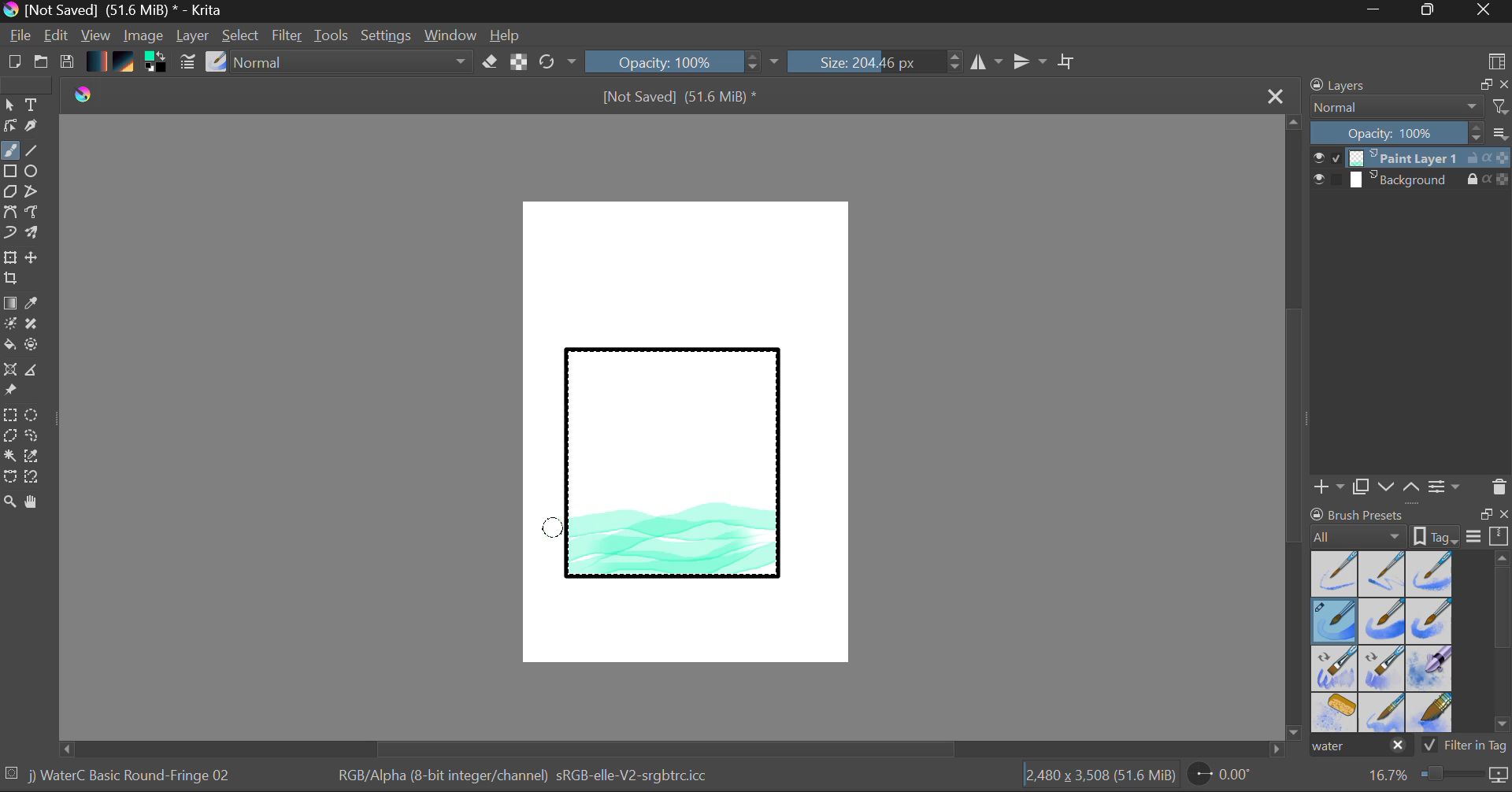  Describe the element at coordinates (195, 35) in the screenshot. I see `Layer` at that location.